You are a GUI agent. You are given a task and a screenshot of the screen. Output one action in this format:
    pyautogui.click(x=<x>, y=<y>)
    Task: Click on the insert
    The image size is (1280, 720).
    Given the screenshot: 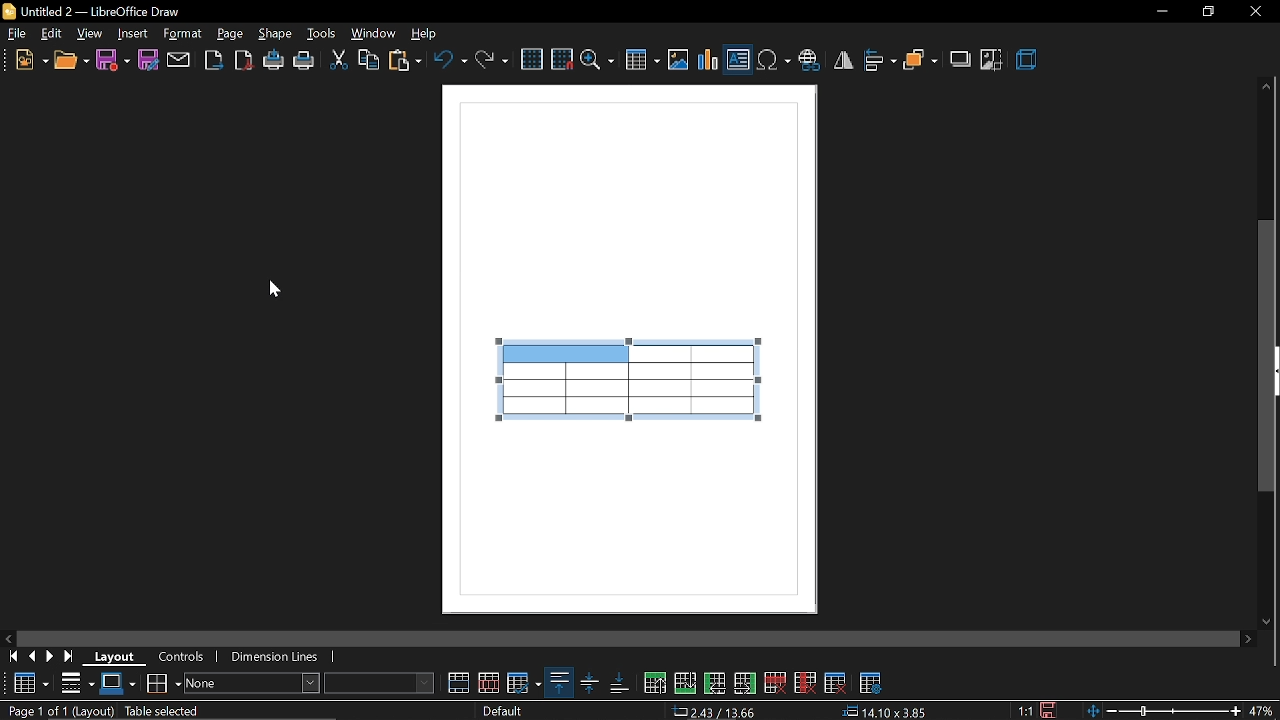 What is the action you would take?
    pyautogui.click(x=134, y=34)
    